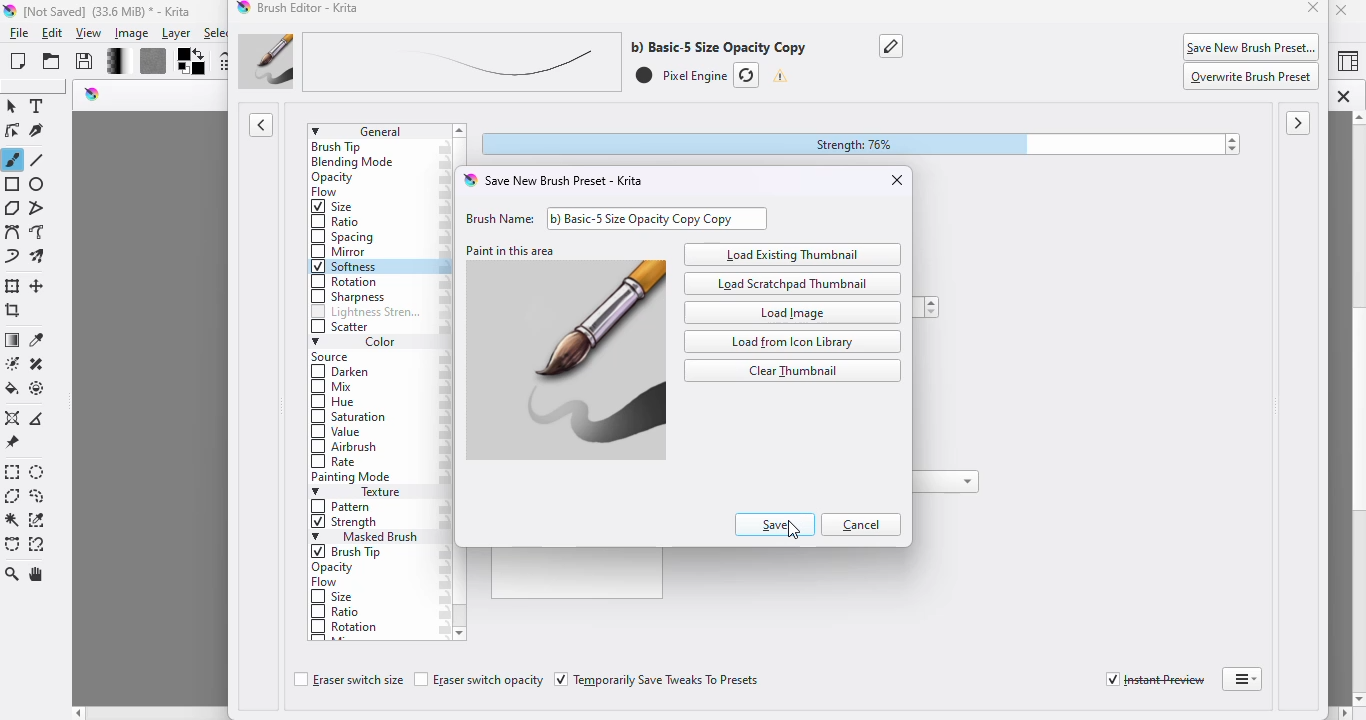 Image resolution: width=1366 pixels, height=720 pixels. What do you see at coordinates (1314, 9) in the screenshot?
I see `close` at bounding box center [1314, 9].